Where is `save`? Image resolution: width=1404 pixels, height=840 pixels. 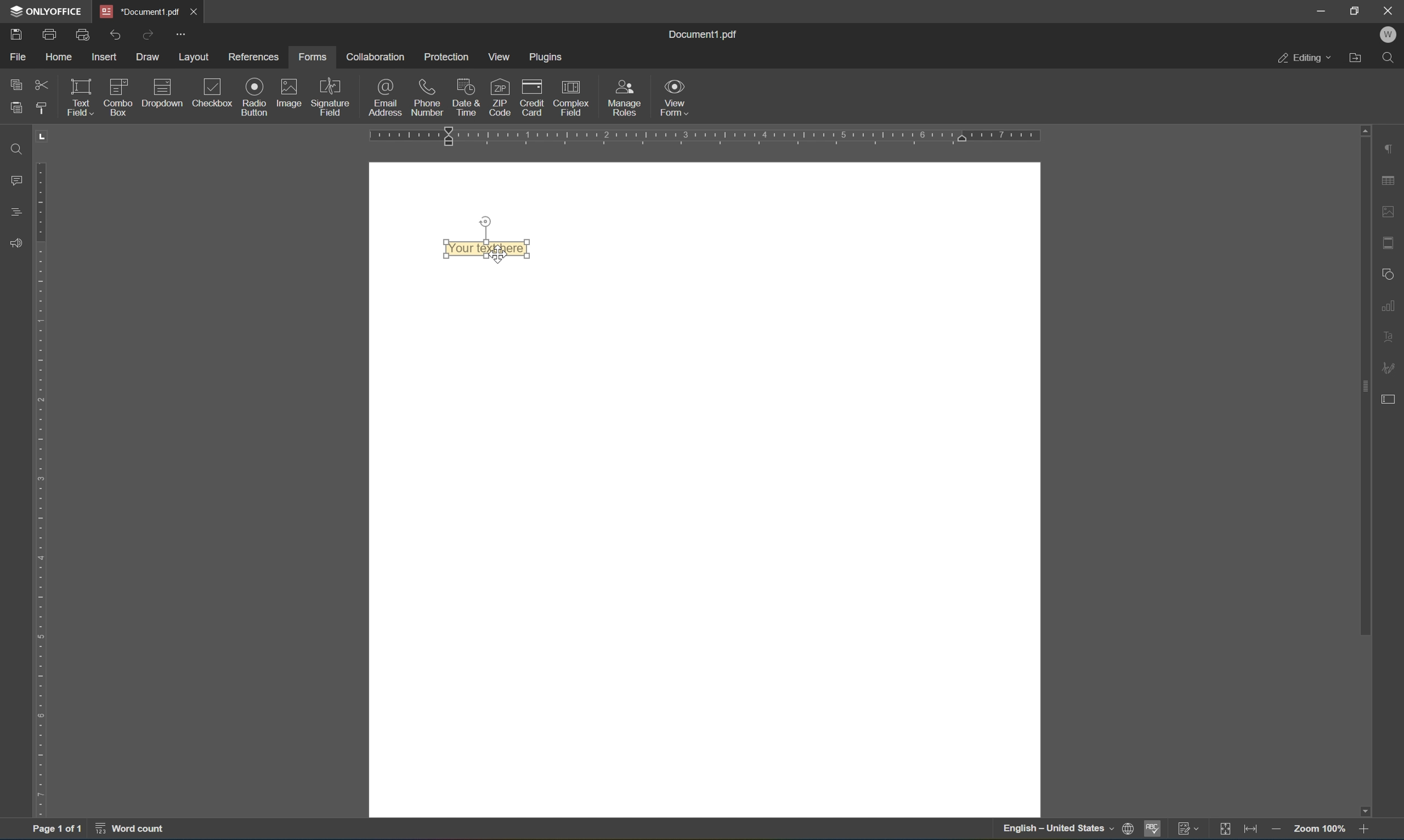 save is located at coordinates (17, 36).